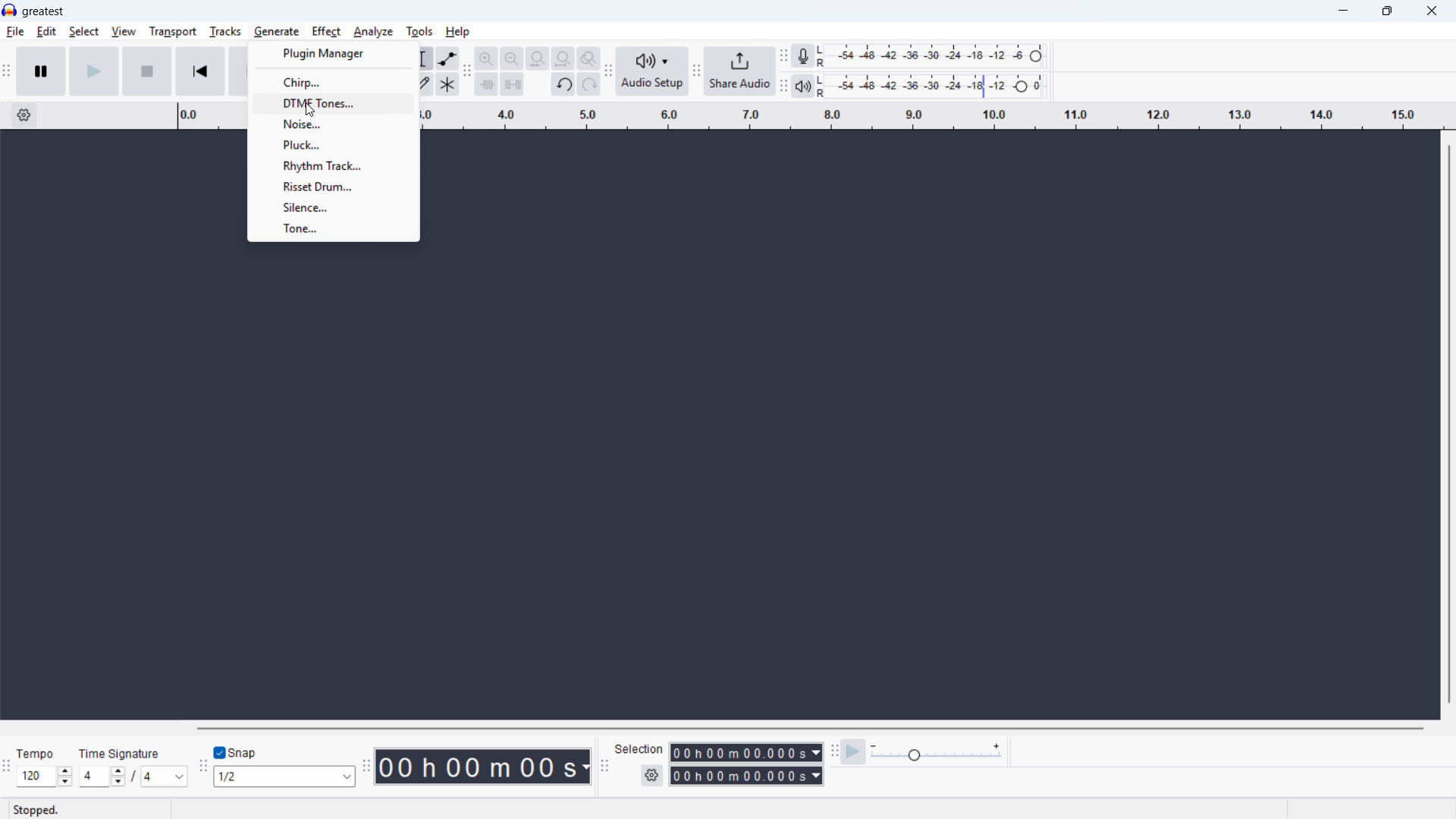 This screenshot has width=1456, height=819. Describe the element at coordinates (1385, 11) in the screenshot. I see `maximise ` at that location.